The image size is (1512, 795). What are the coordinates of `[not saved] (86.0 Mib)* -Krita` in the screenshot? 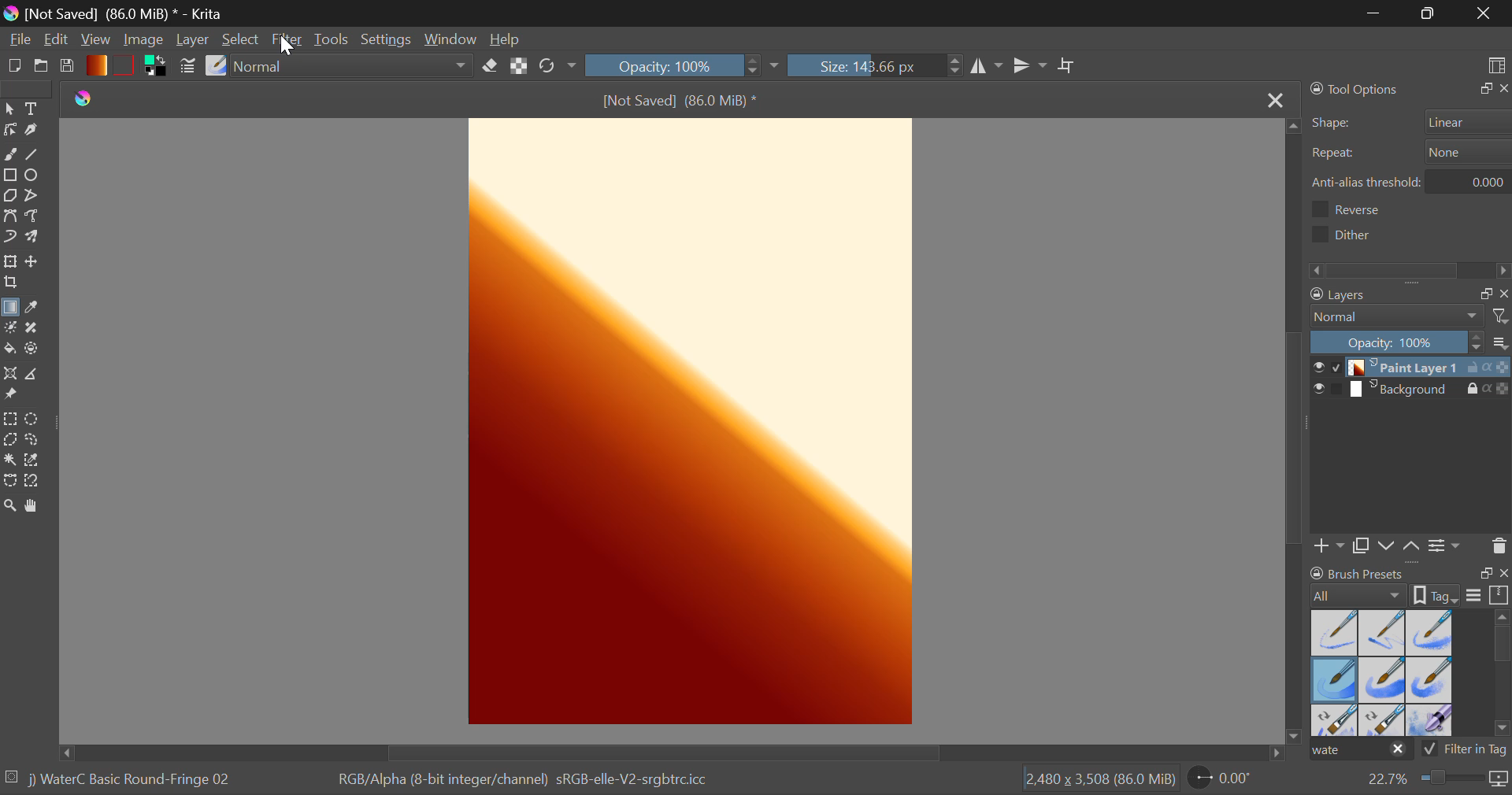 It's located at (114, 14).